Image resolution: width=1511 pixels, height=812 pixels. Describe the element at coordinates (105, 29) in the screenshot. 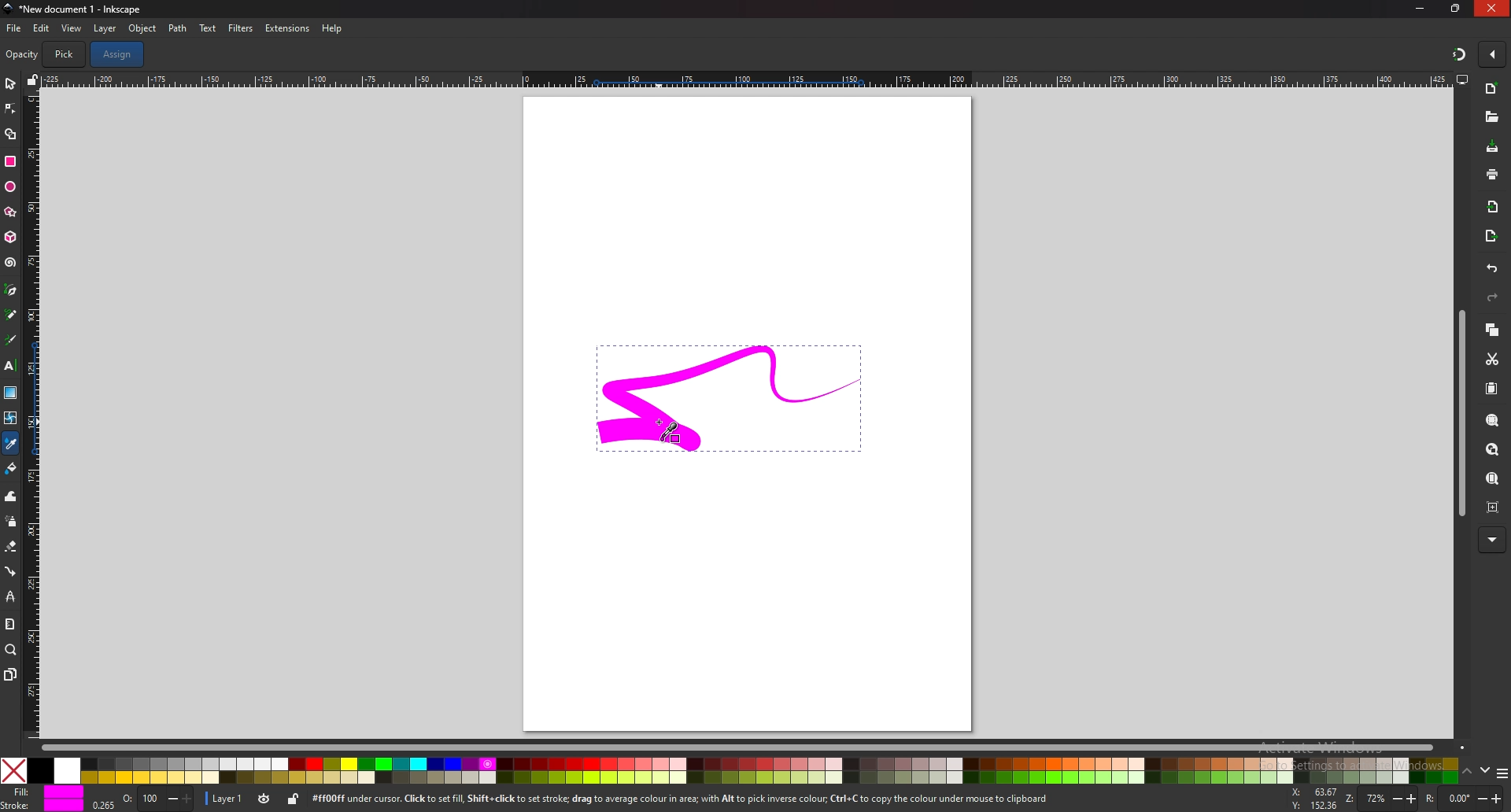

I see `layer` at that location.